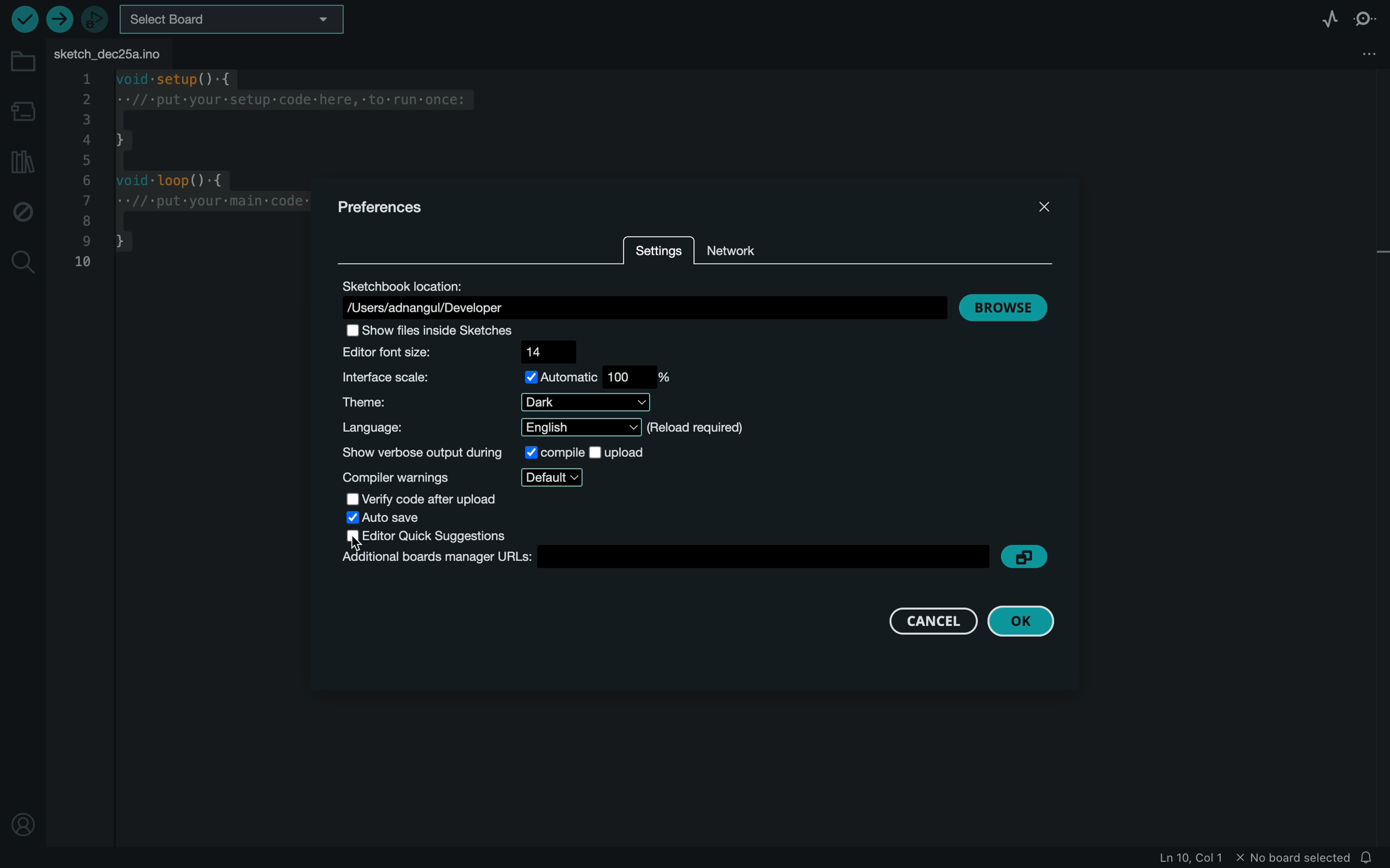  I want to click on language, so click(546, 427).